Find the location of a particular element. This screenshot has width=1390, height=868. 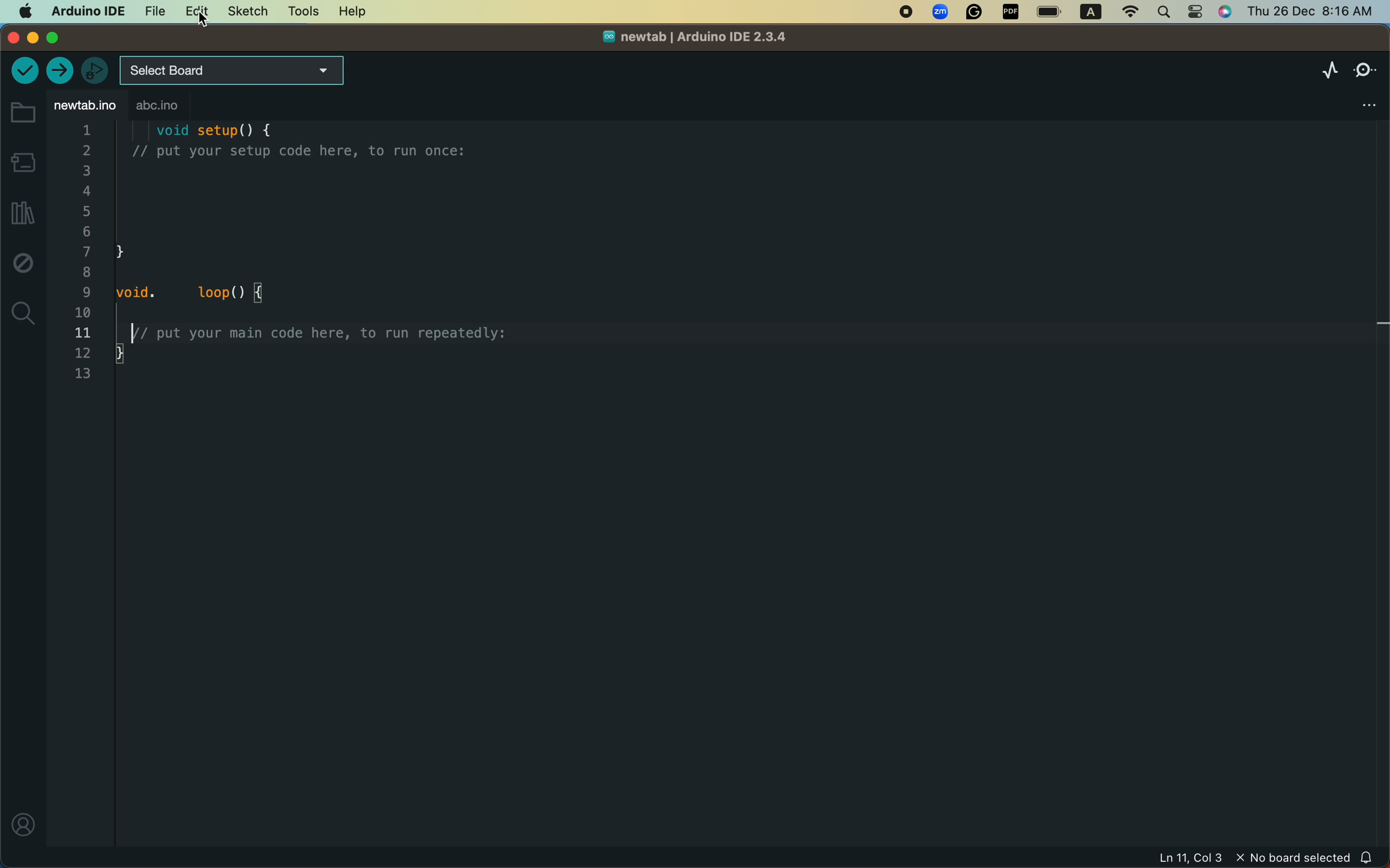

code is located at coordinates (310, 269).